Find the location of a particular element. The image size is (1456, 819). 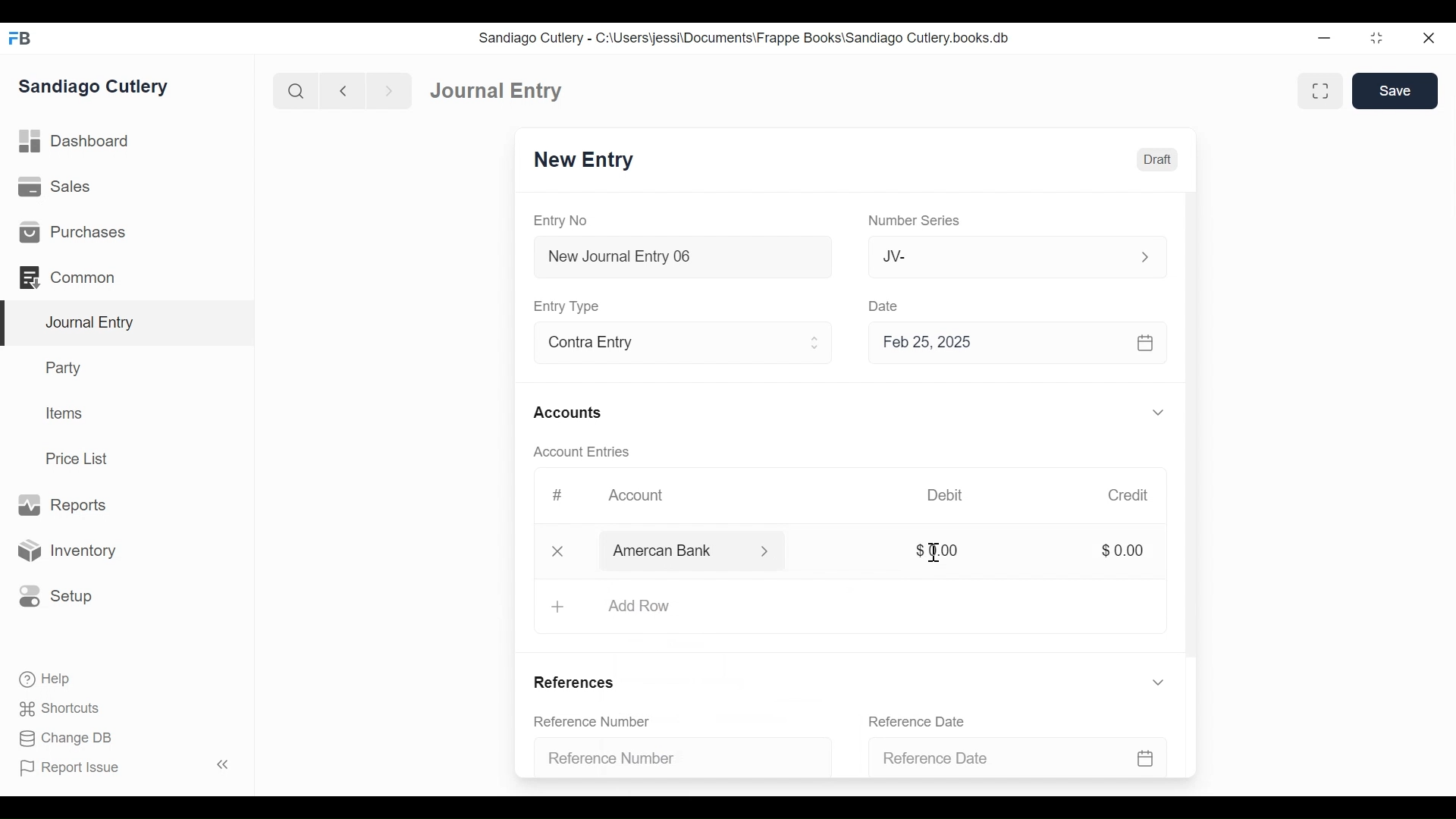

Accounts is located at coordinates (572, 414).